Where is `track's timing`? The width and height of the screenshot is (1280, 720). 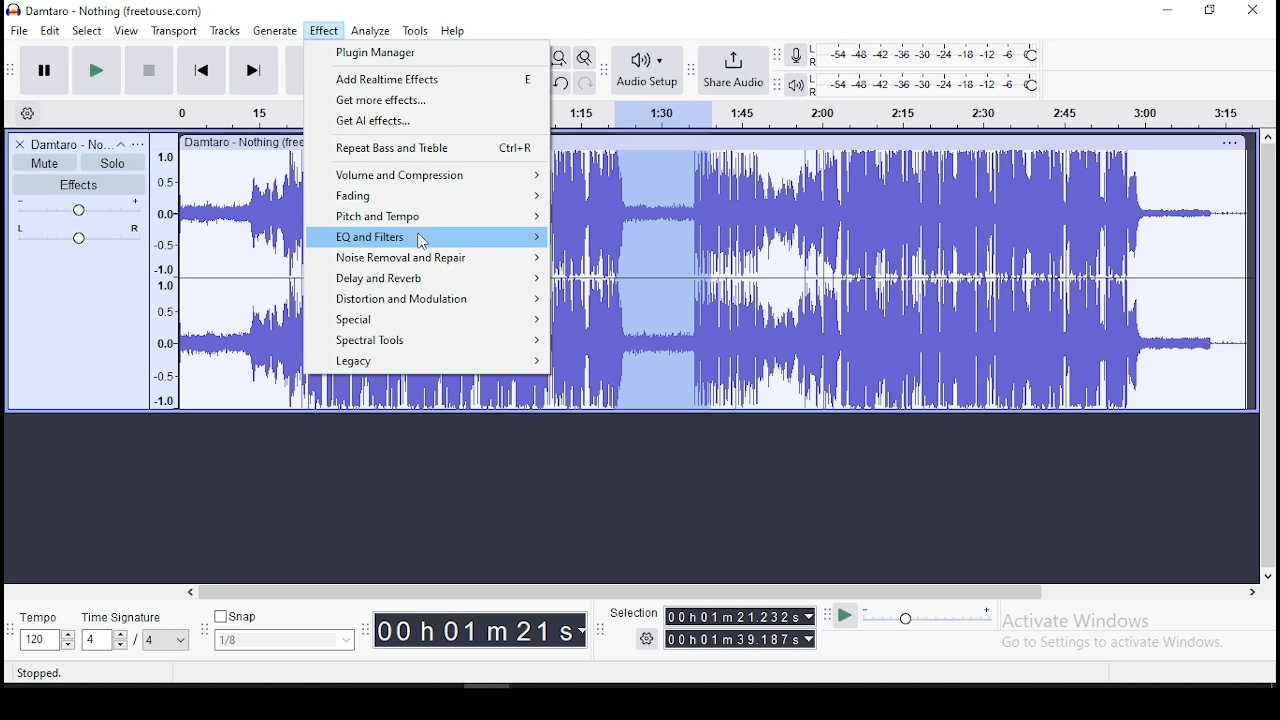 track's timing is located at coordinates (239, 113).